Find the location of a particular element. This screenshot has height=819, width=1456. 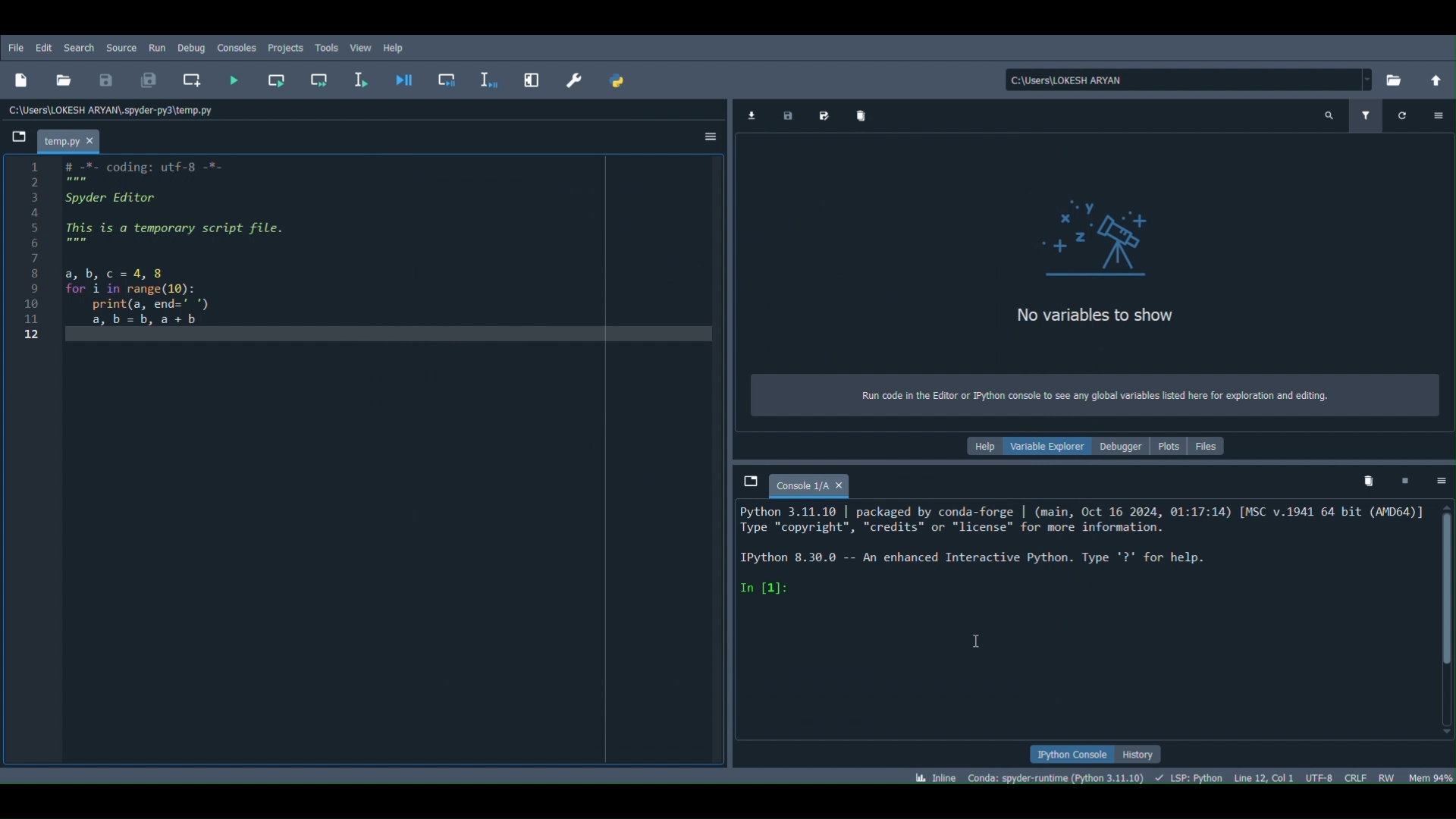

File name is located at coordinates (71, 140).